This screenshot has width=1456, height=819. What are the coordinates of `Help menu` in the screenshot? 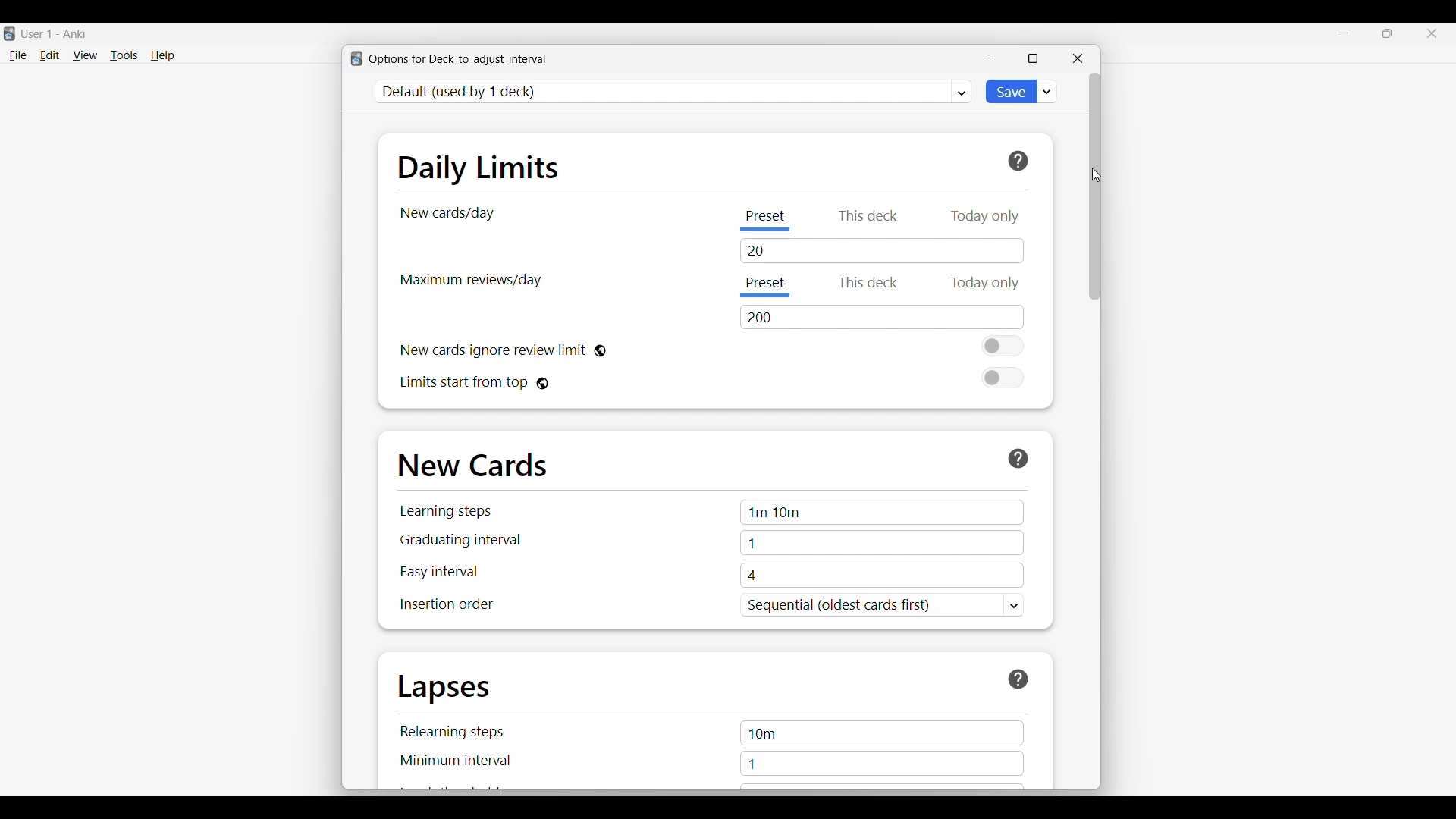 It's located at (162, 56).